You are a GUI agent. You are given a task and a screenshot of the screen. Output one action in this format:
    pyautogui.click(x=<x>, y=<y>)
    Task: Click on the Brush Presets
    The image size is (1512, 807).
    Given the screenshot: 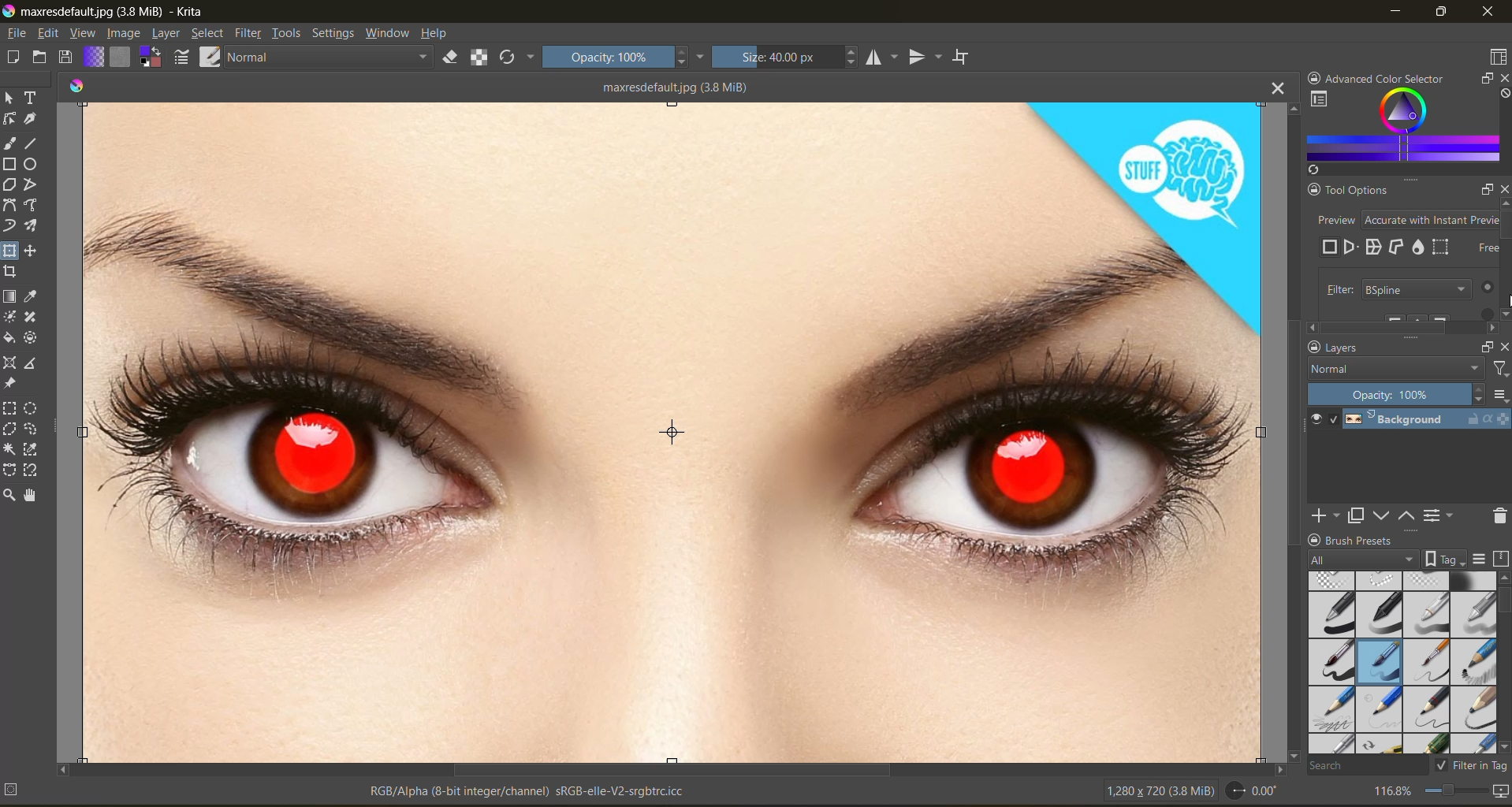 What is the action you would take?
    pyautogui.click(x=1375, y=538)
    